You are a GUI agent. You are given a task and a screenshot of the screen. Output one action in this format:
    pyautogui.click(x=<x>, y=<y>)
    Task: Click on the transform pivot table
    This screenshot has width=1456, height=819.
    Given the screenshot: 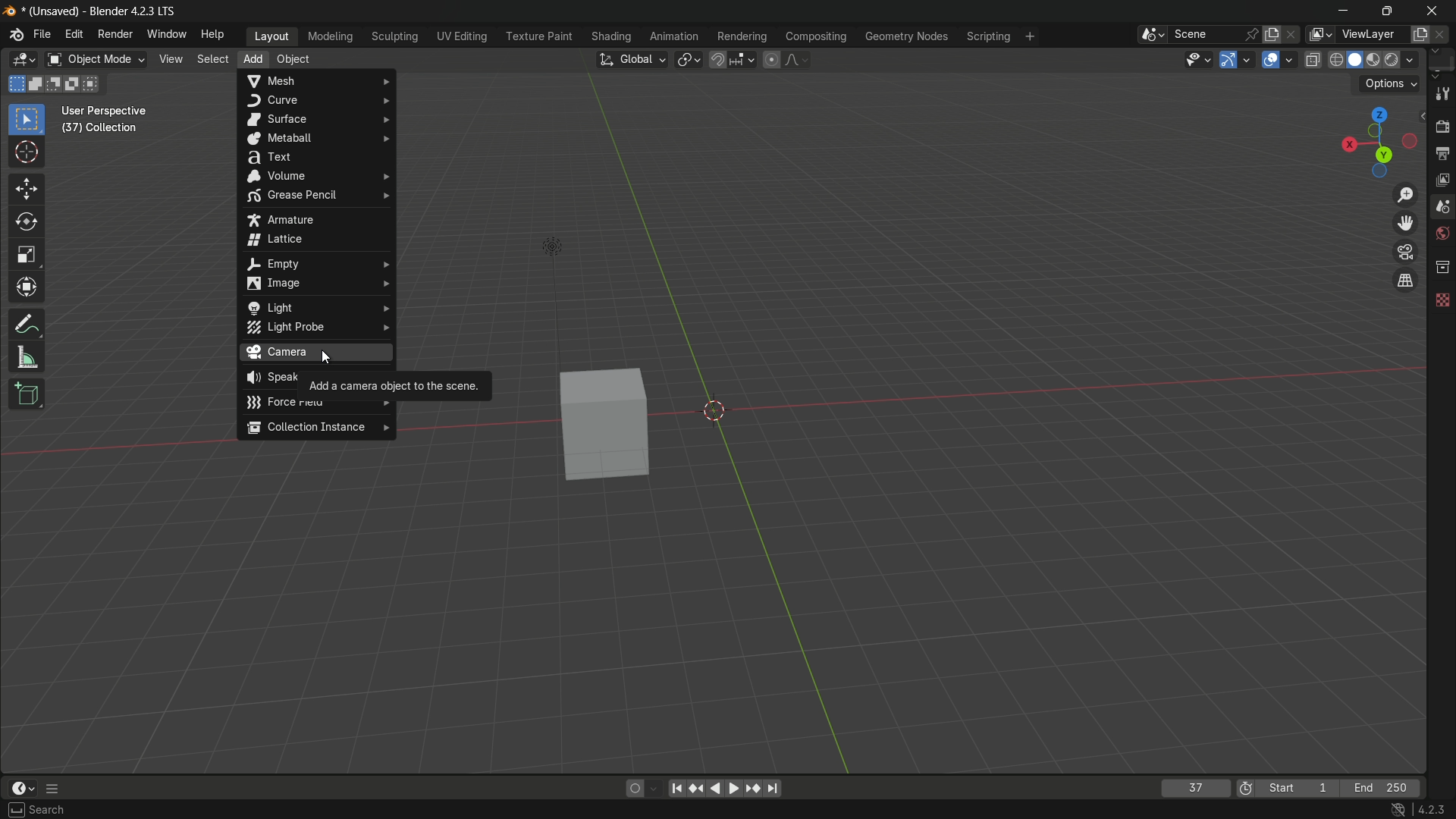 What is the action you would take?
    pyautogui.click(x=688, y=61)
    